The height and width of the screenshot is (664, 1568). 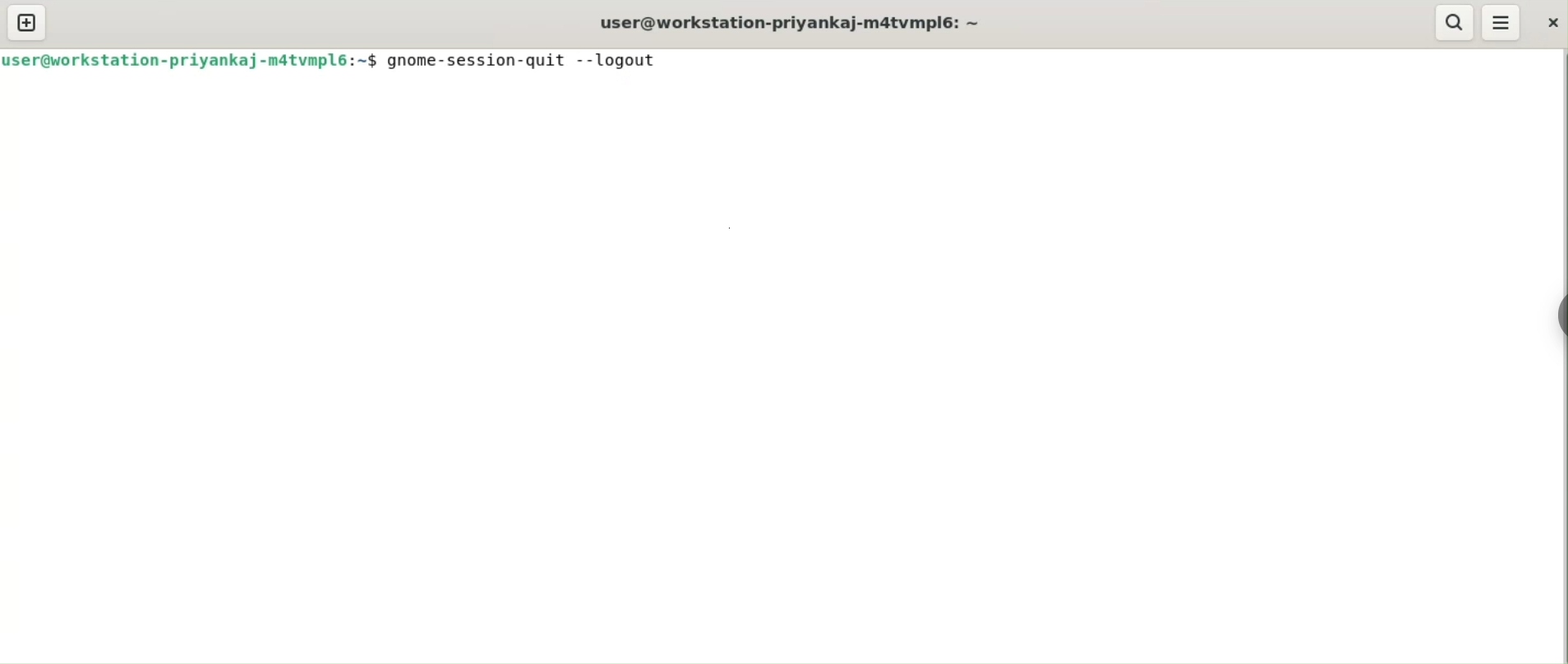 What do you see at coordinates (1500, 23) in the screenshot?
I see `menu` at bounding box center [1500, 23].